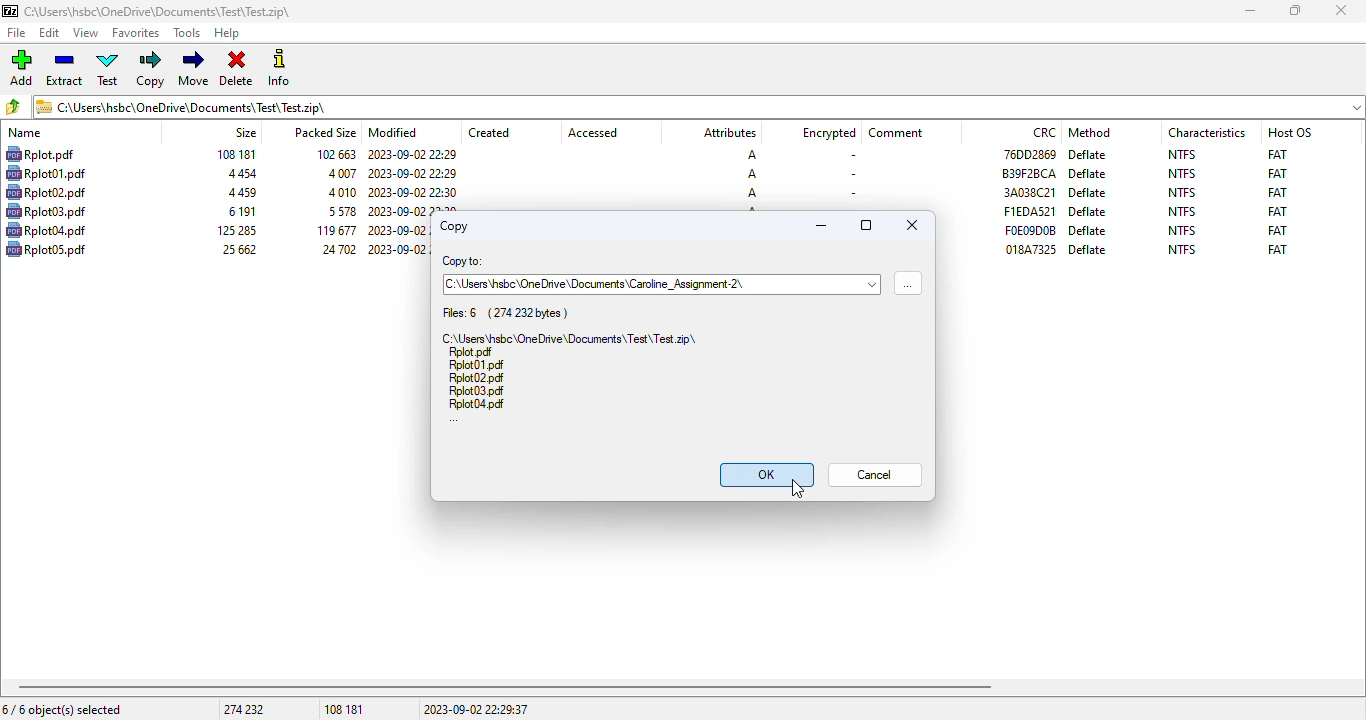  Describe the element at coordinates (595, 284) in the screenshot. I see `C:\Users\hsbc\OneDrive\Documents\Caroline_Assignment-2\` at that location.